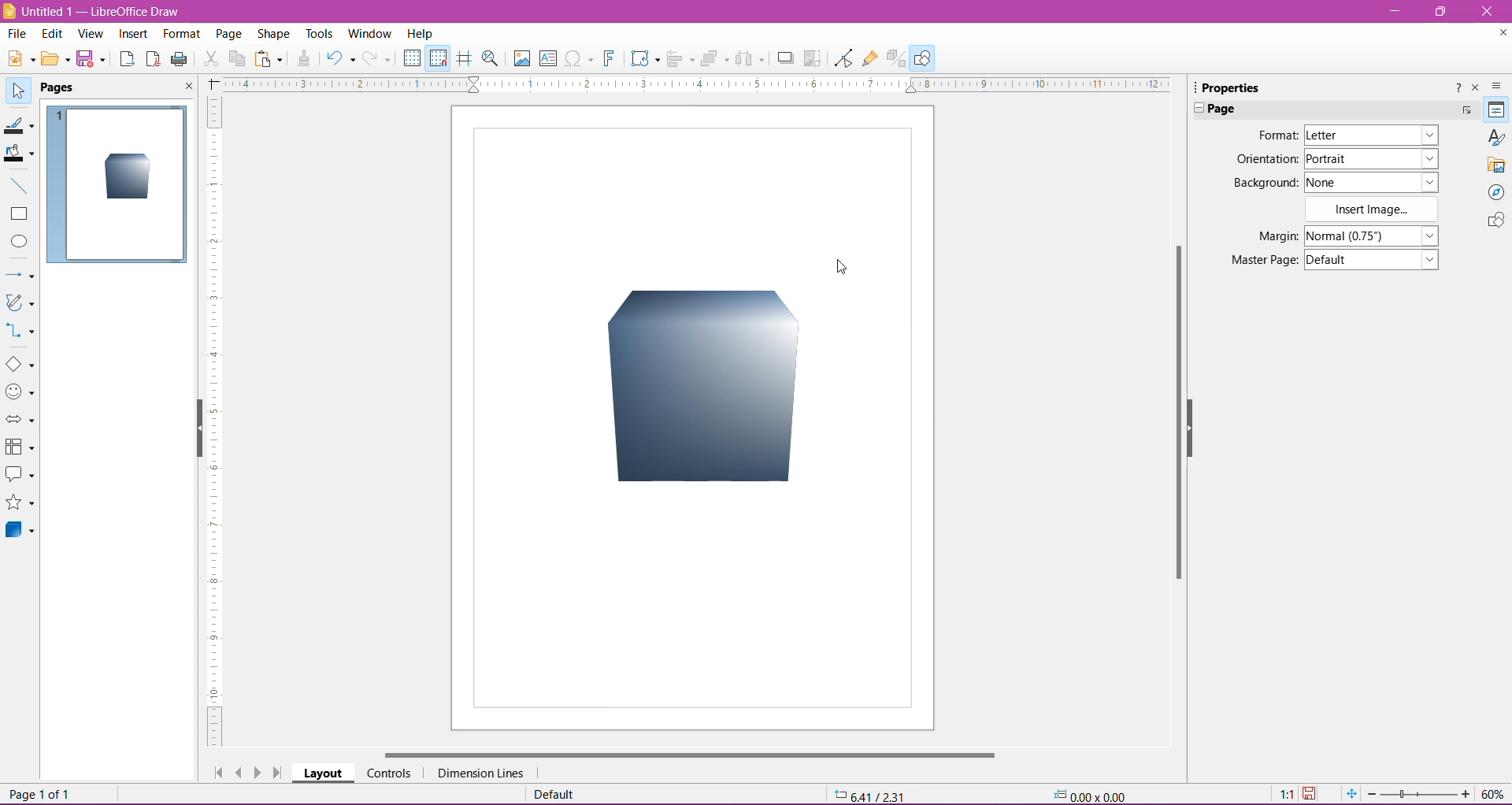  What do you see at coordinates (321, 34) in the screenshot?
I see `Tools` at bounding box center [321, 34].